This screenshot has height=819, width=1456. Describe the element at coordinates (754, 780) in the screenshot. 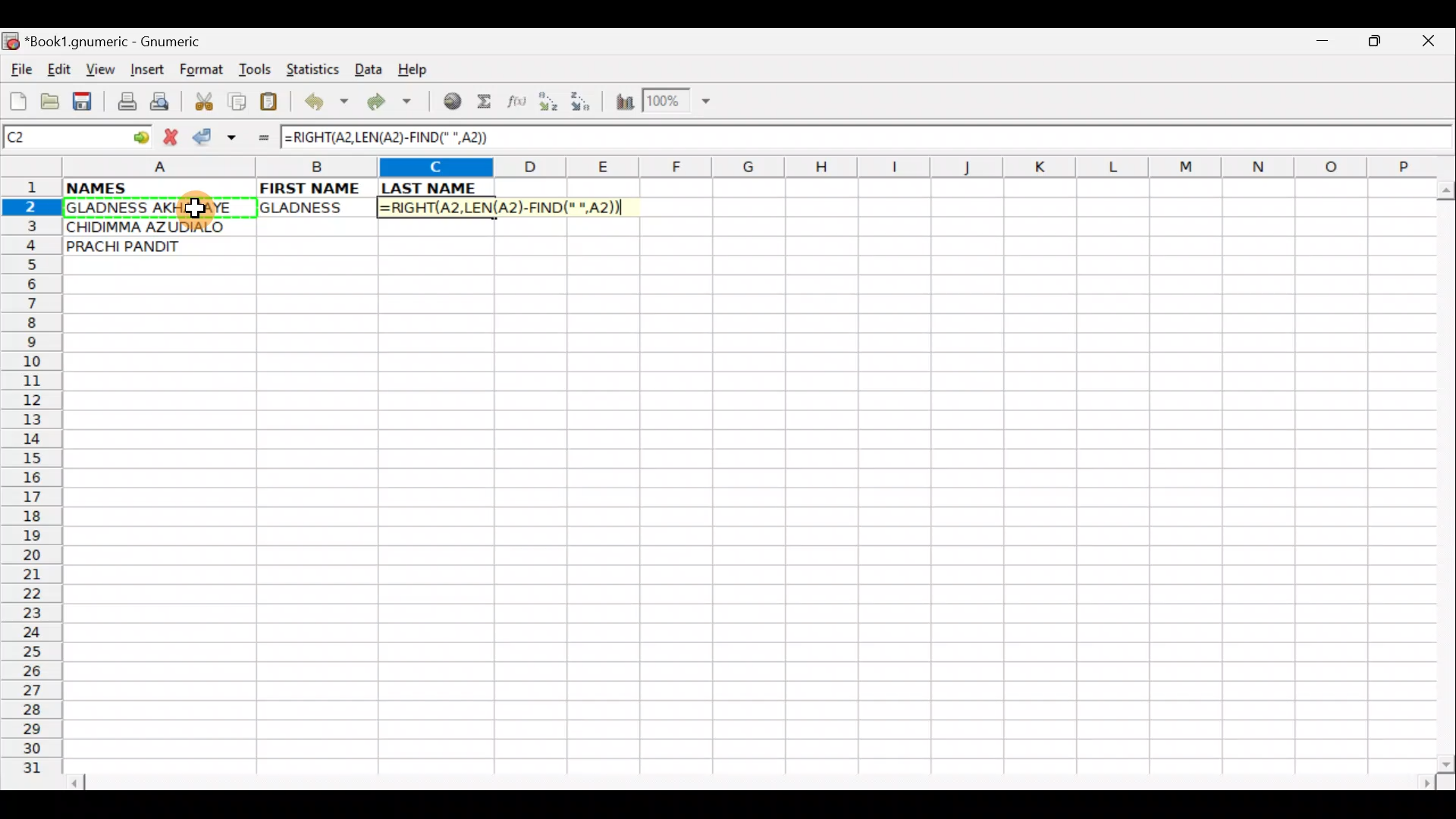

I see `Scroll bar` at that location.